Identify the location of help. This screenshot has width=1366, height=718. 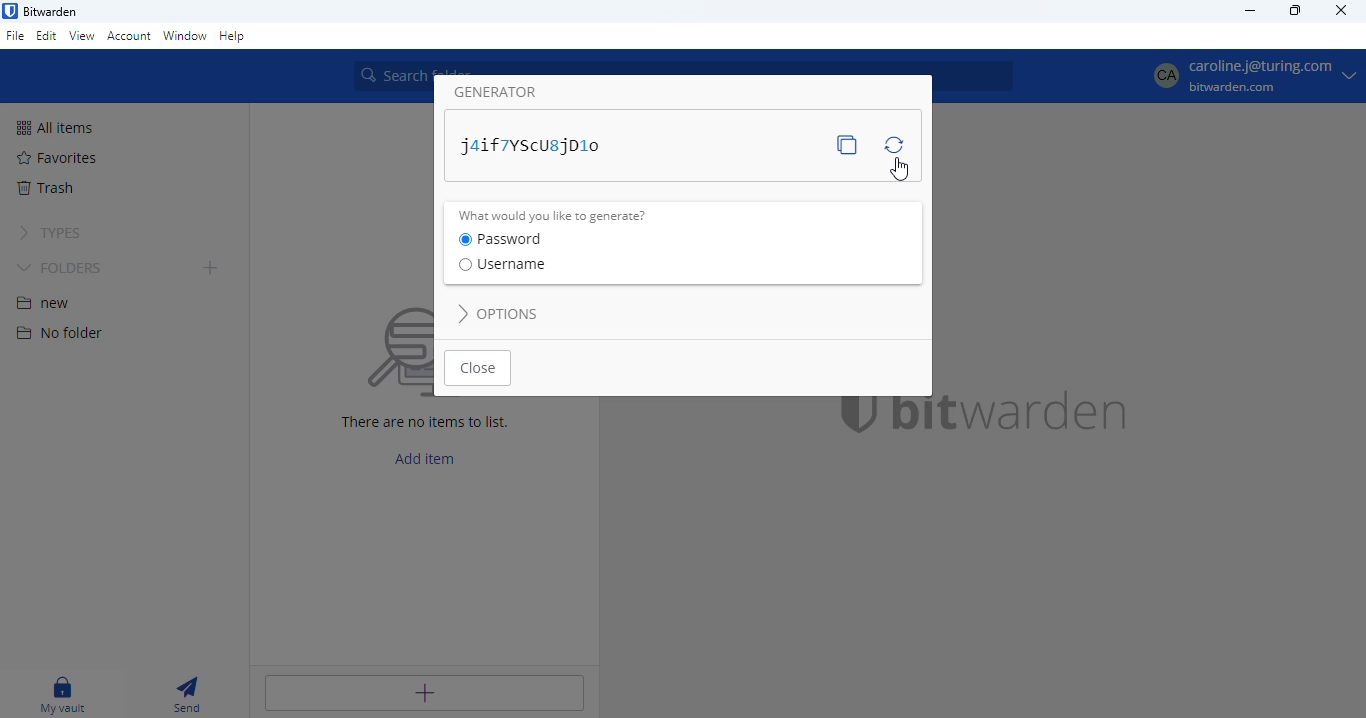
(233, 36).